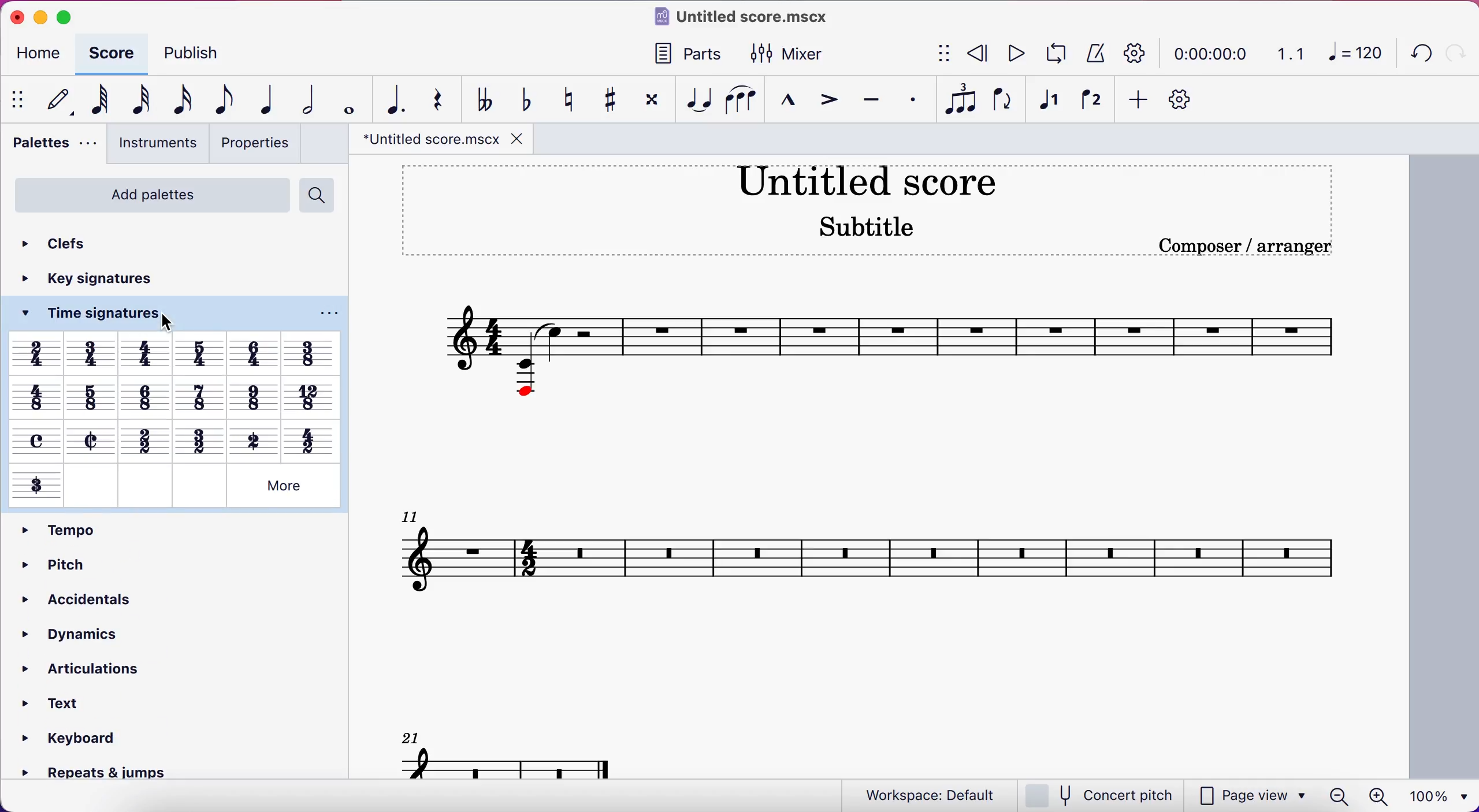 This screenshot has width=1479, height=812. What do you see at coordinates (681, 54) in the screenshot?
I see `parts` at bounding box center [681, 54].